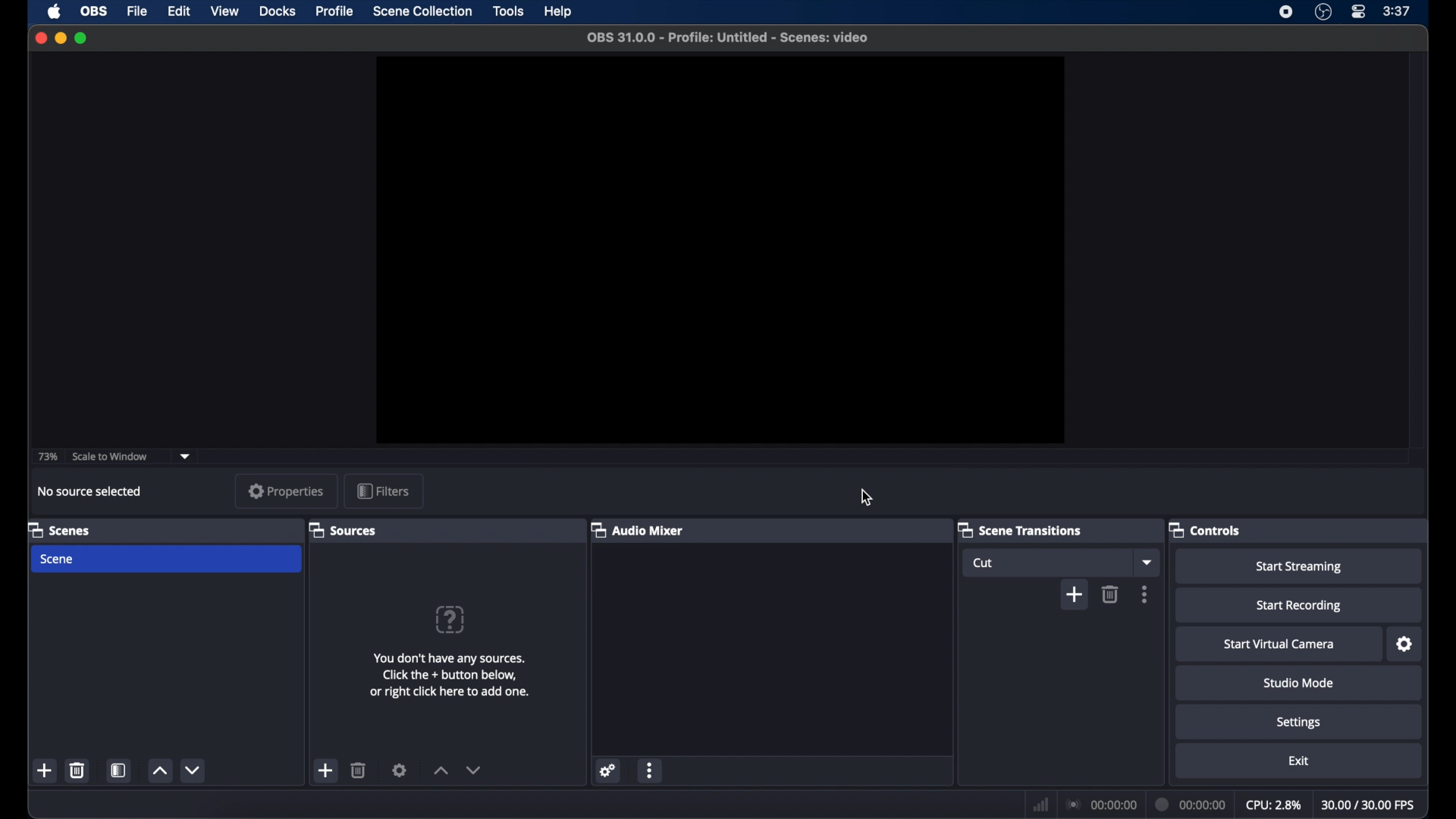  What do you see at coordinates (1405, 644) in the screenshot?
I see `settings` at bounding box center [1405, 644].